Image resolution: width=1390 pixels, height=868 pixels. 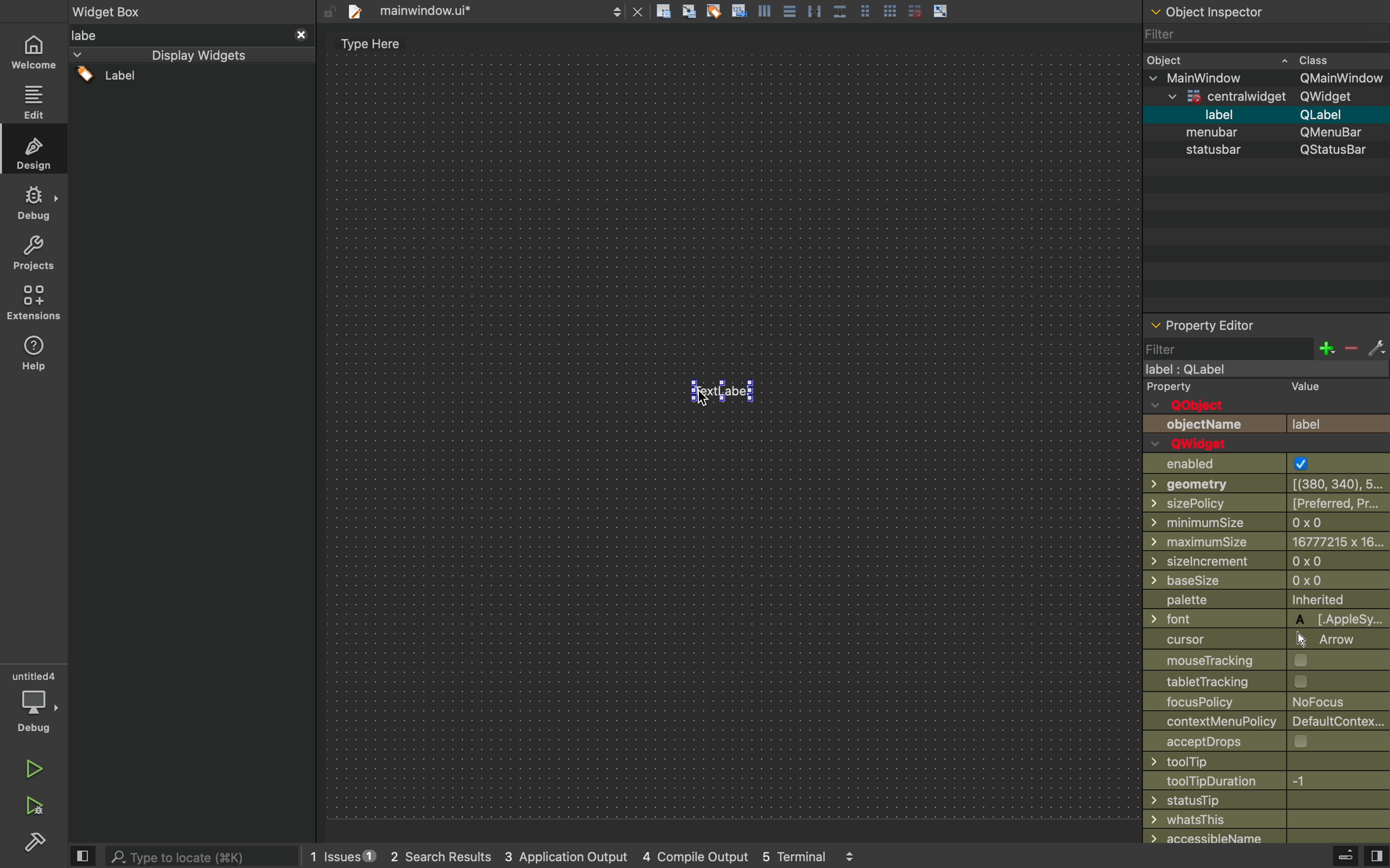 I want to click on filter text, so click(x=190, y=33).